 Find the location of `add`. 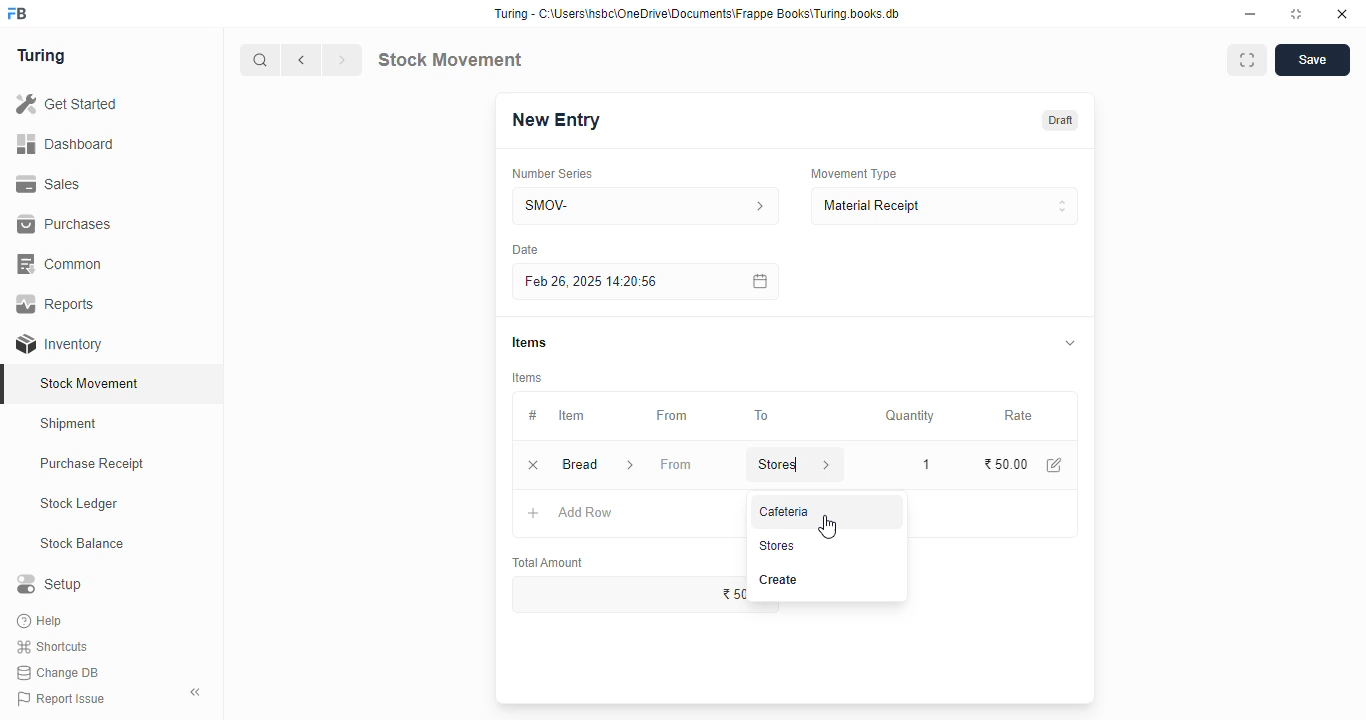

add is located at coordinates (534, 514).